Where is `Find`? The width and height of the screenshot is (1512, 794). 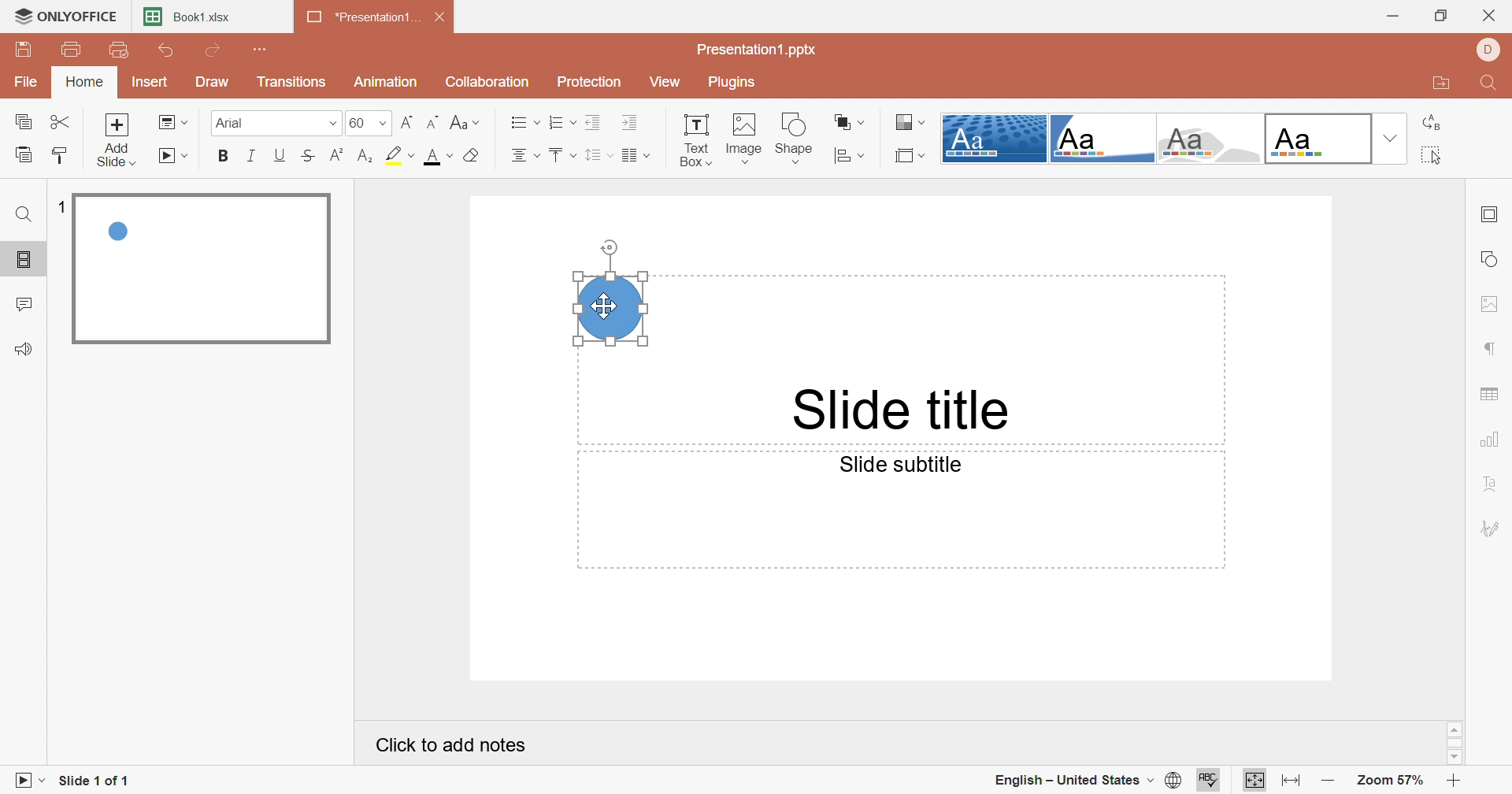 Find is located at coordinates (1492, 83).